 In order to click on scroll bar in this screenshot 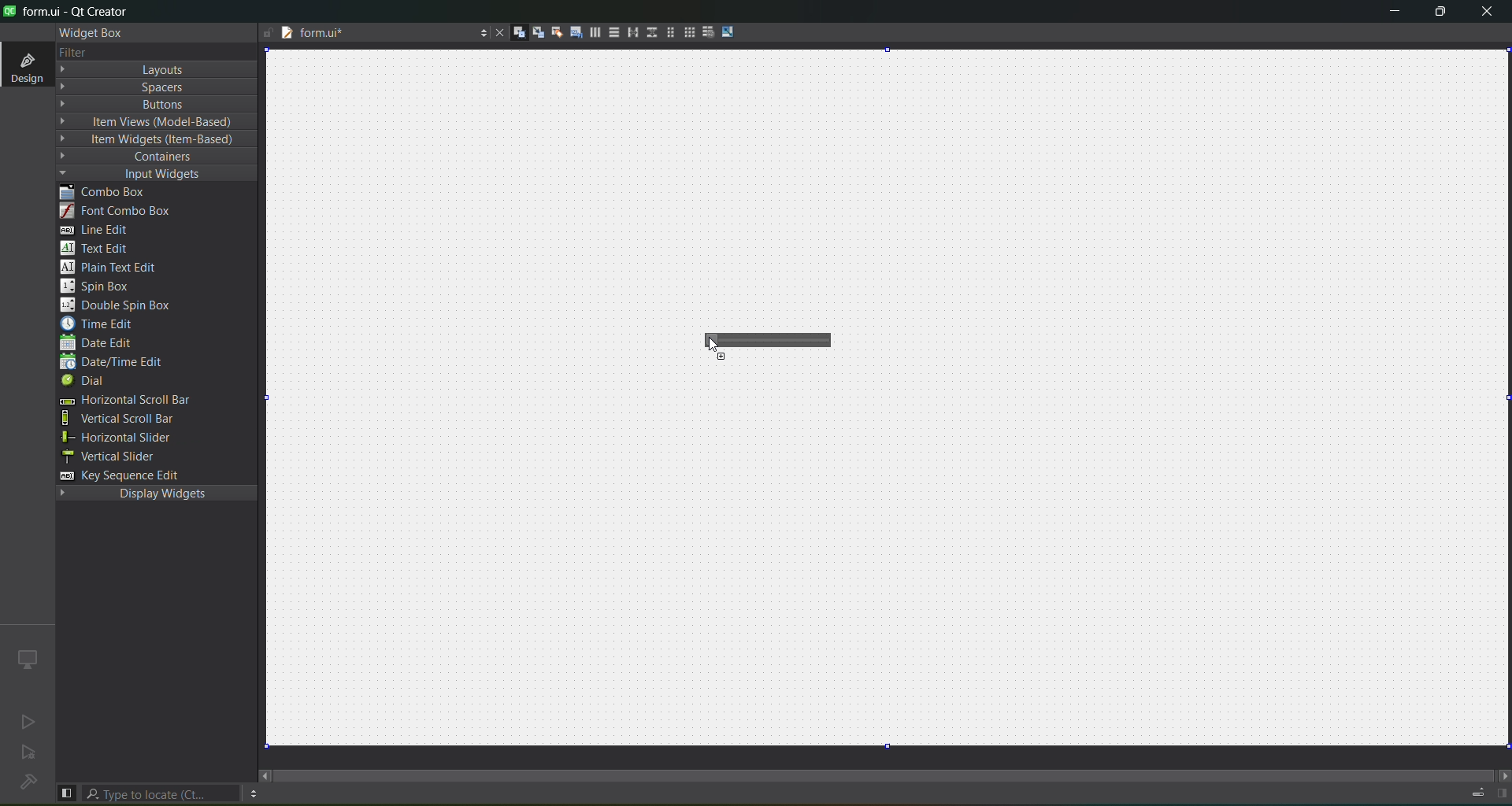, I will do `click(892, 775)`.